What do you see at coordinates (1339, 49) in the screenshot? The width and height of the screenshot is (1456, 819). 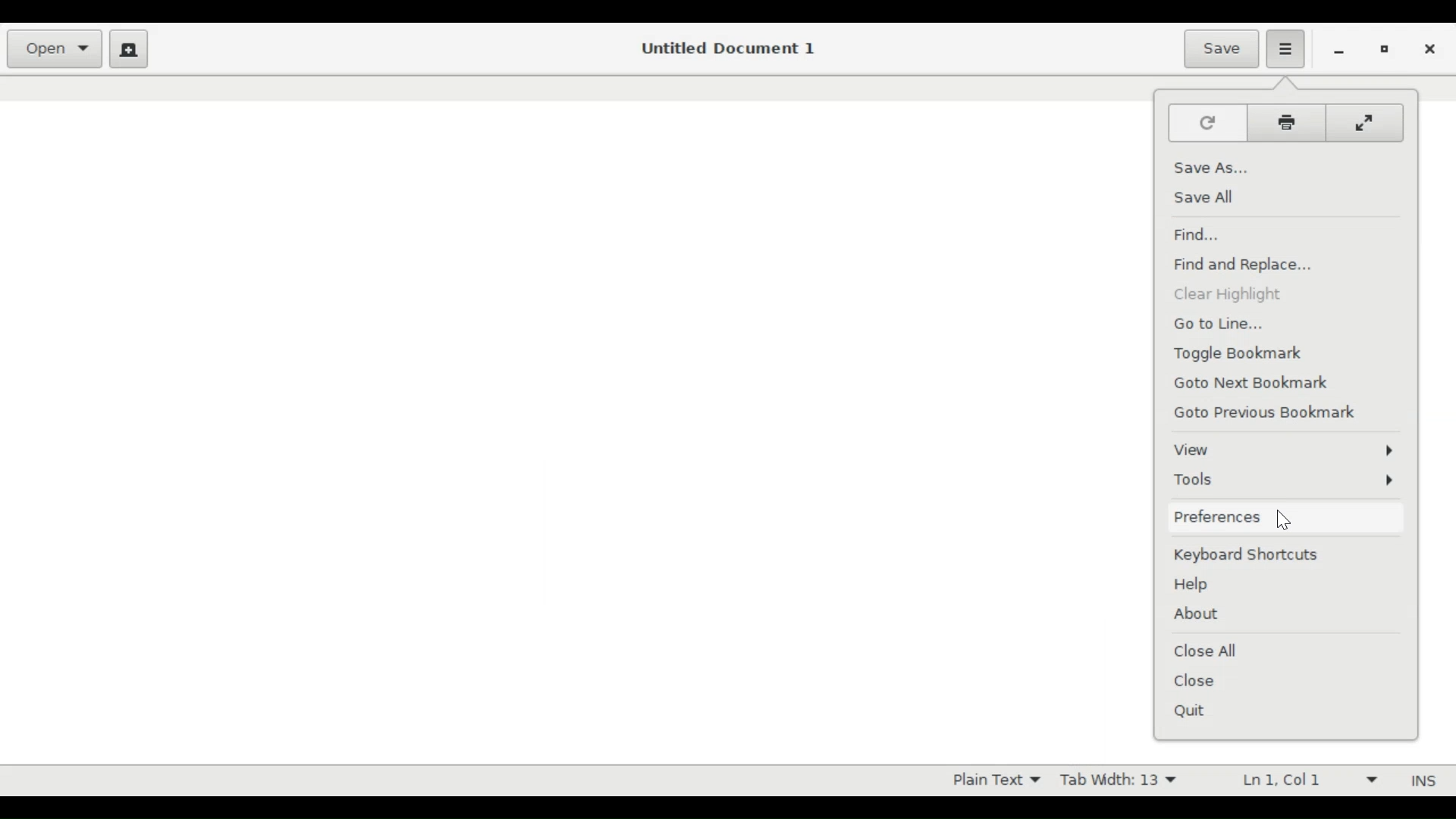 I see `minimize` at bounding box center [1339, 49].